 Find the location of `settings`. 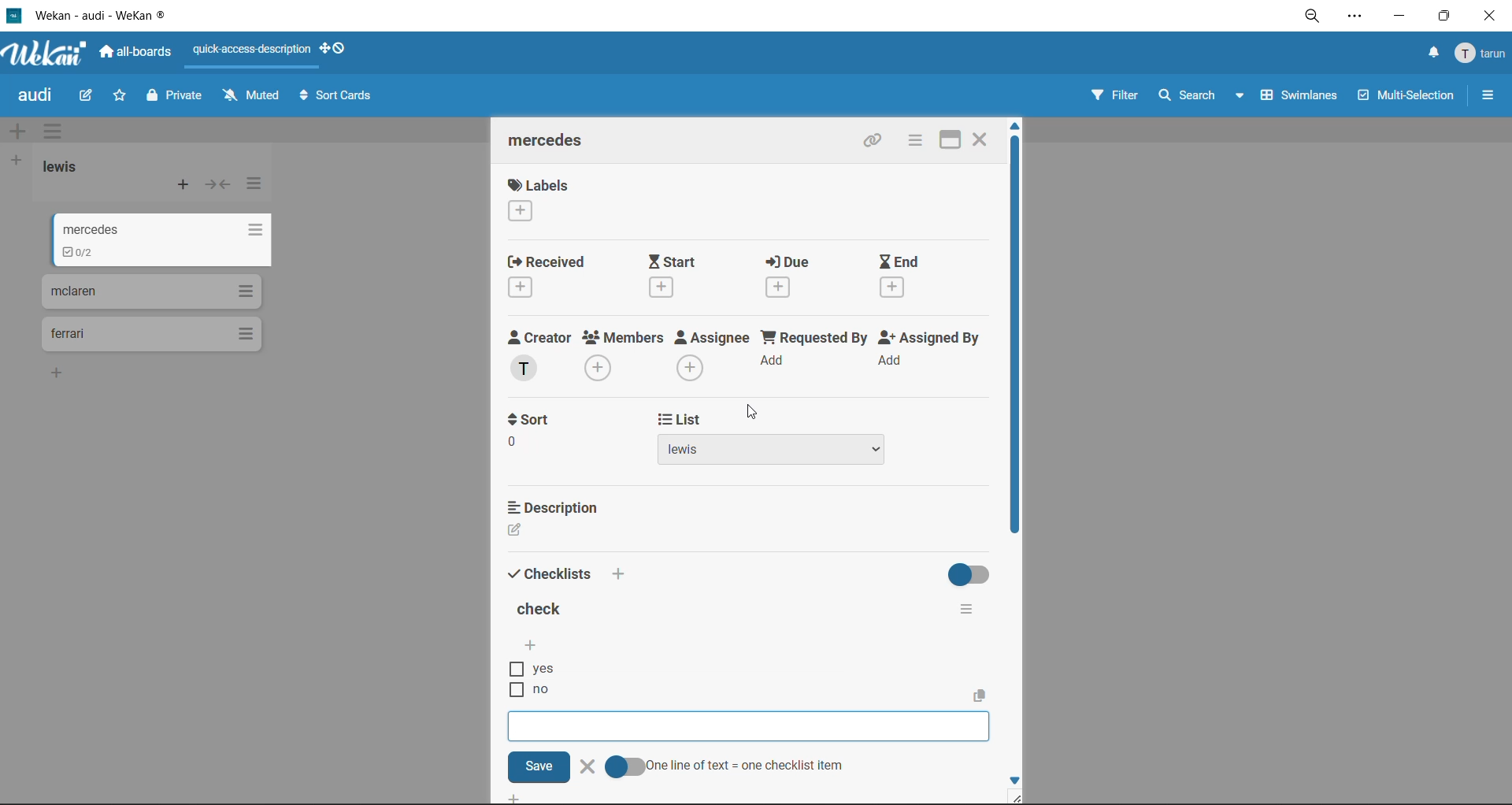

settings is located at coordinates (1358, 19).